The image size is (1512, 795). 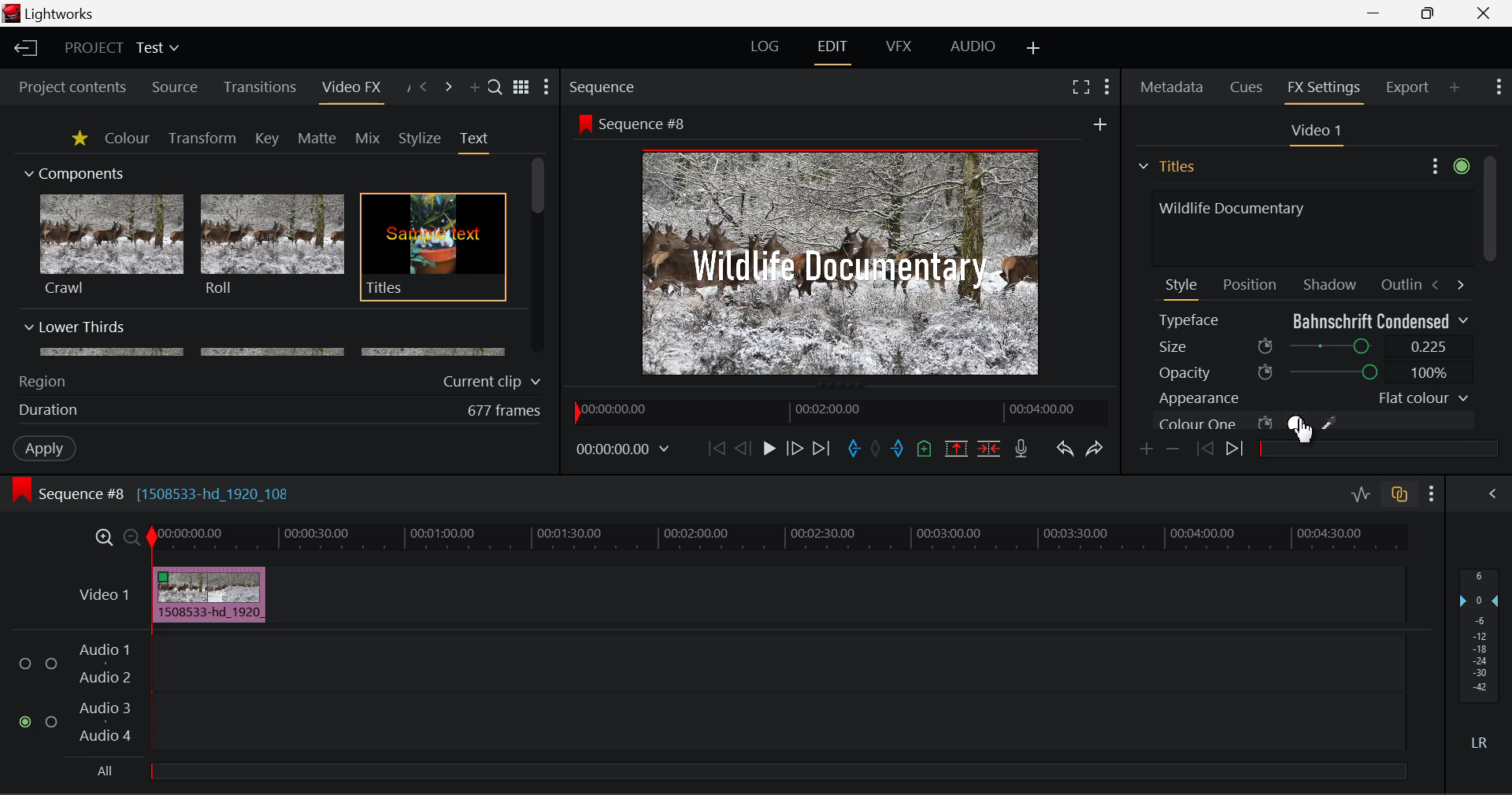 I want to click on Settings, so click(x=1447, y=164).